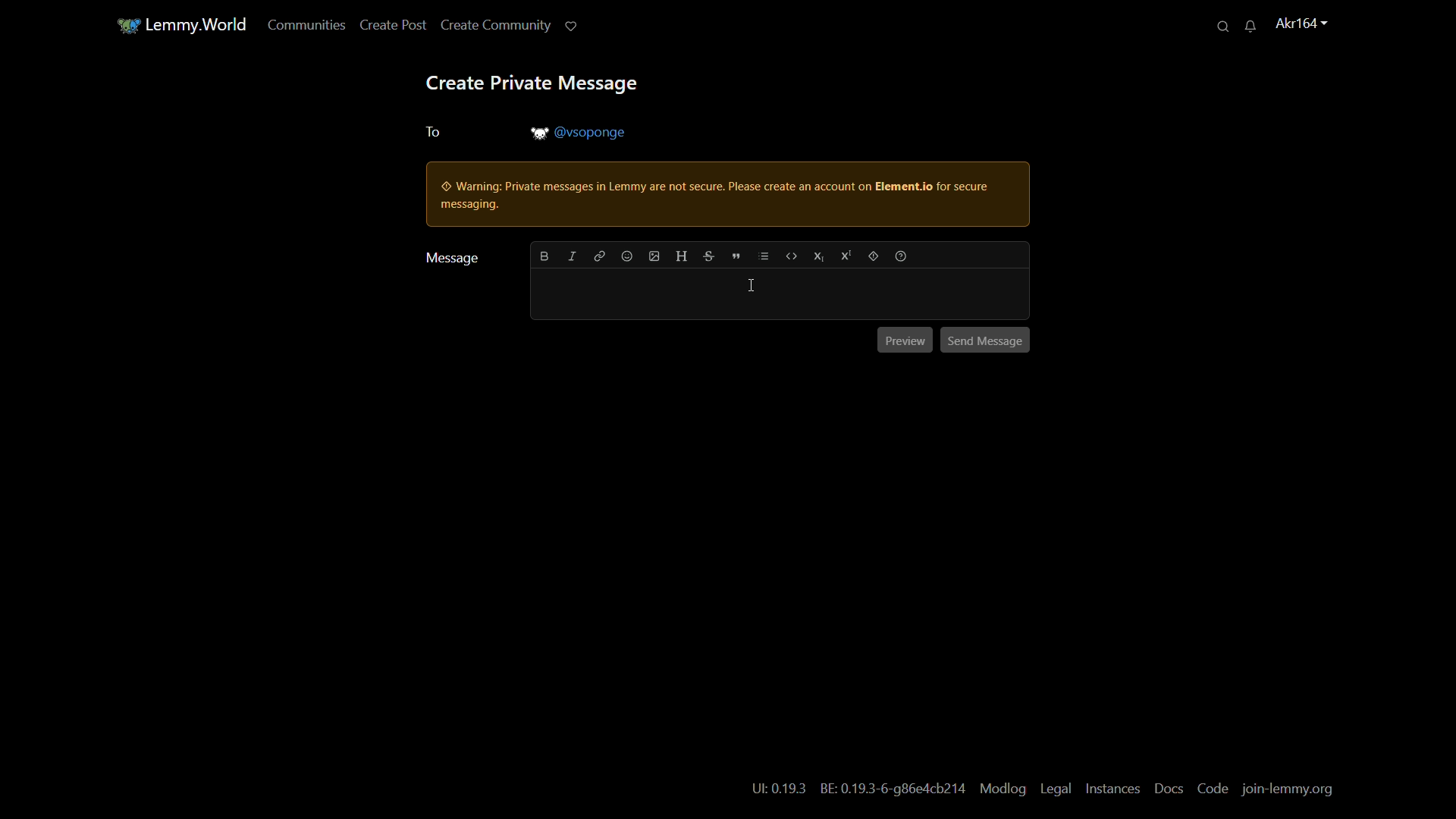  Describe the element at coordinates (1294, 24) in the screenshot. I see `username` at that location.